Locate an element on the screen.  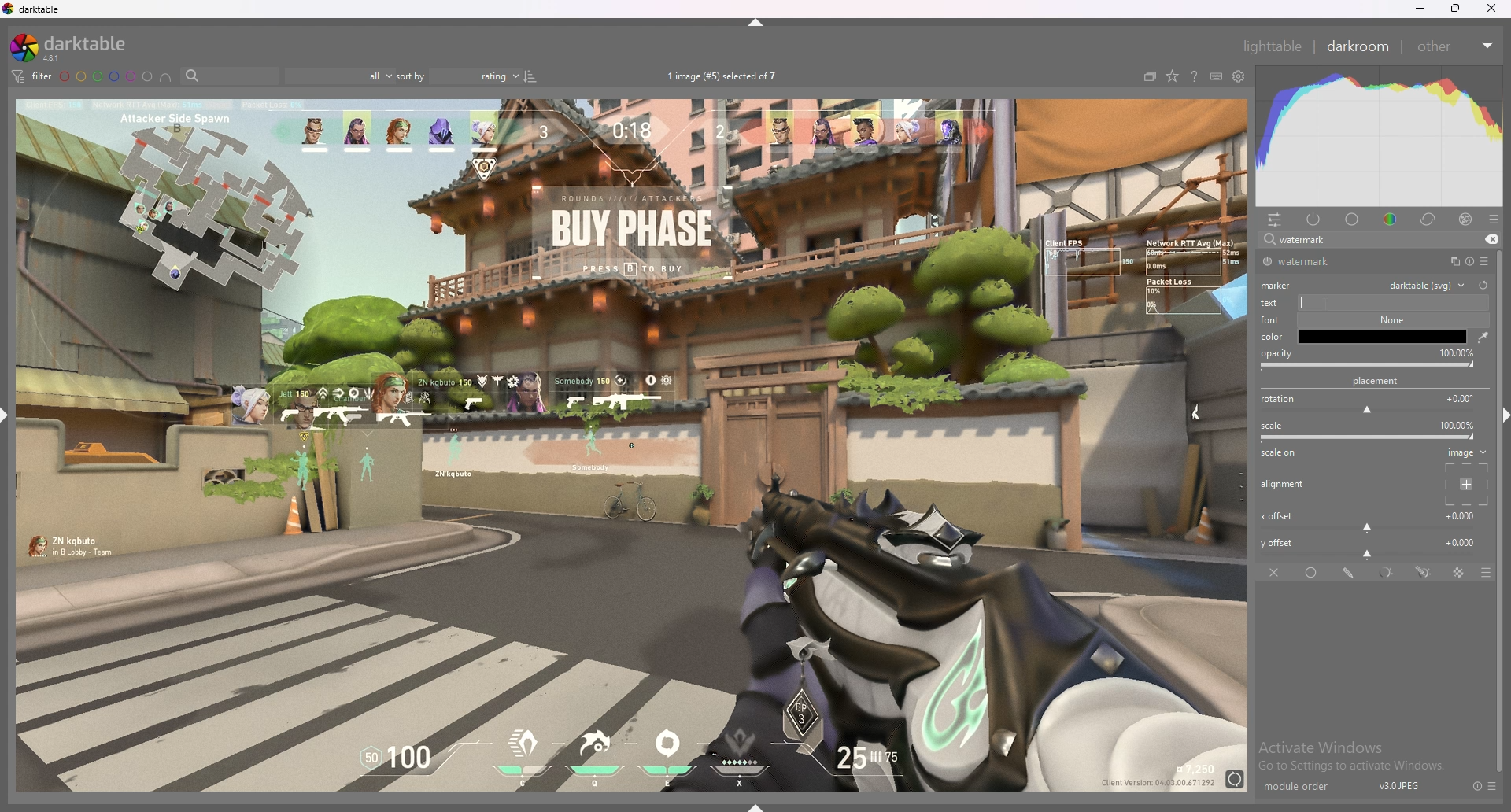
correct is located at coordinates (1429, 219).